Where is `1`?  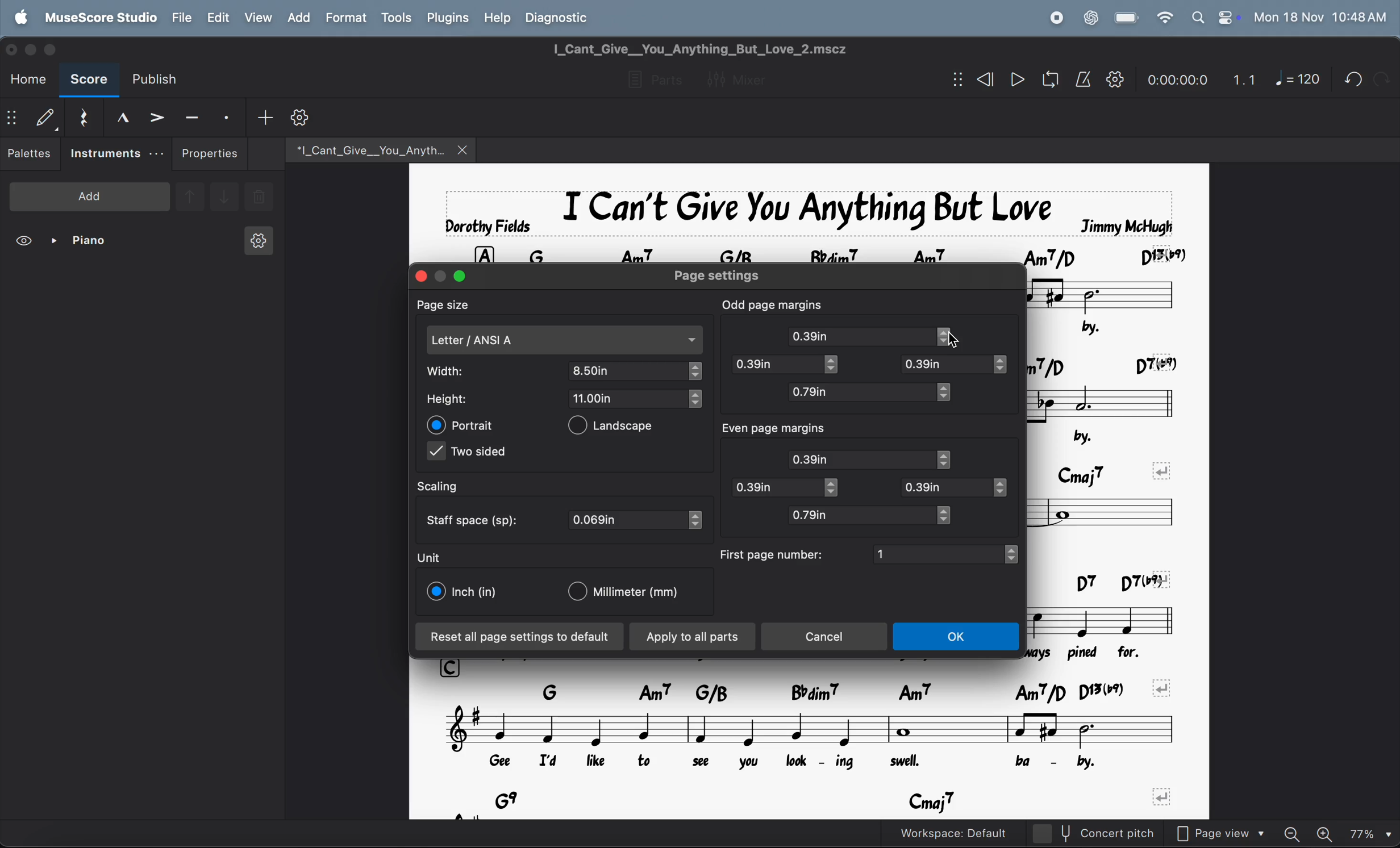
1 is located at coordinates (938, 553).